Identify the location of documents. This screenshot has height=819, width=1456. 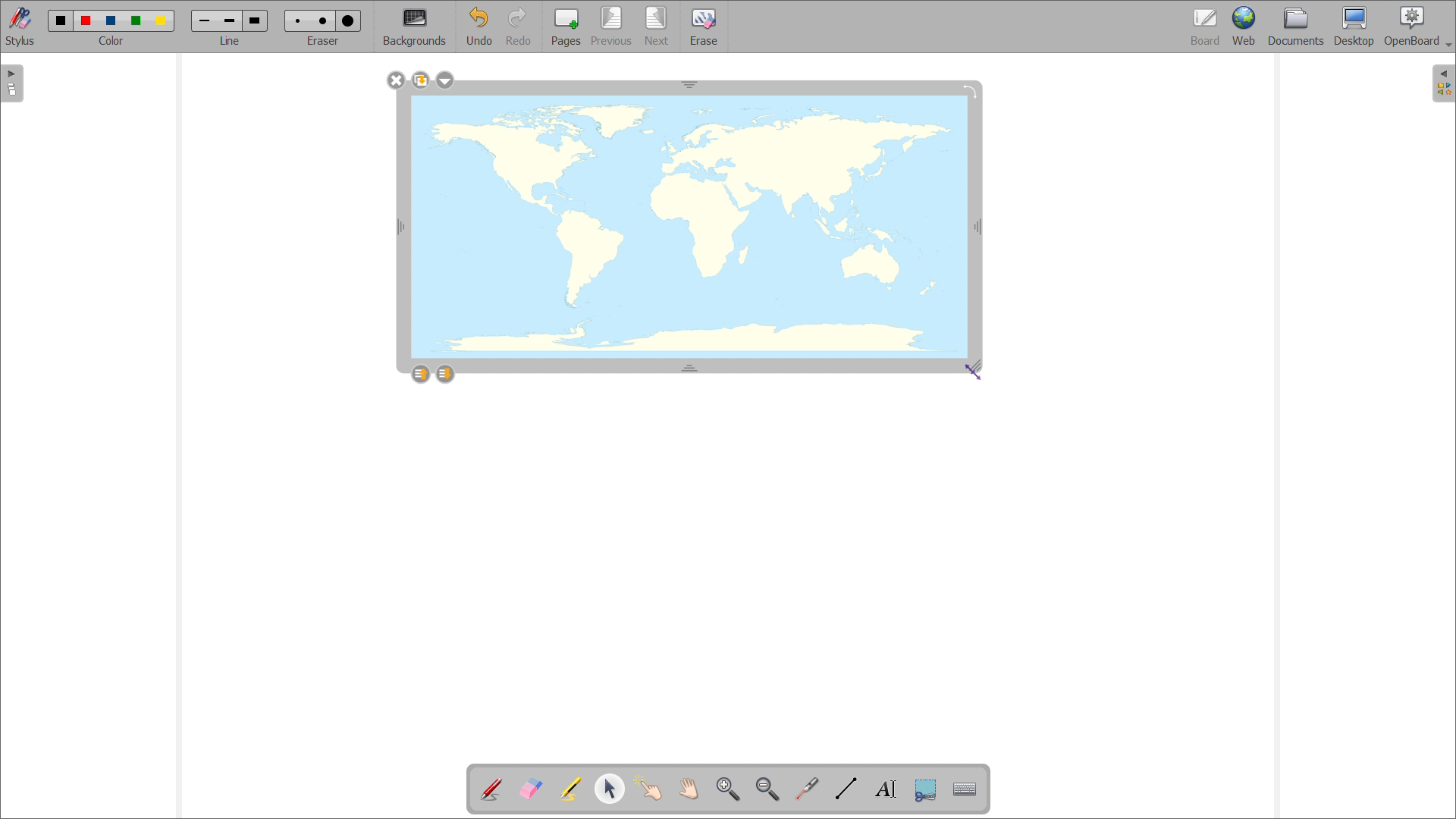
(1298, 27).